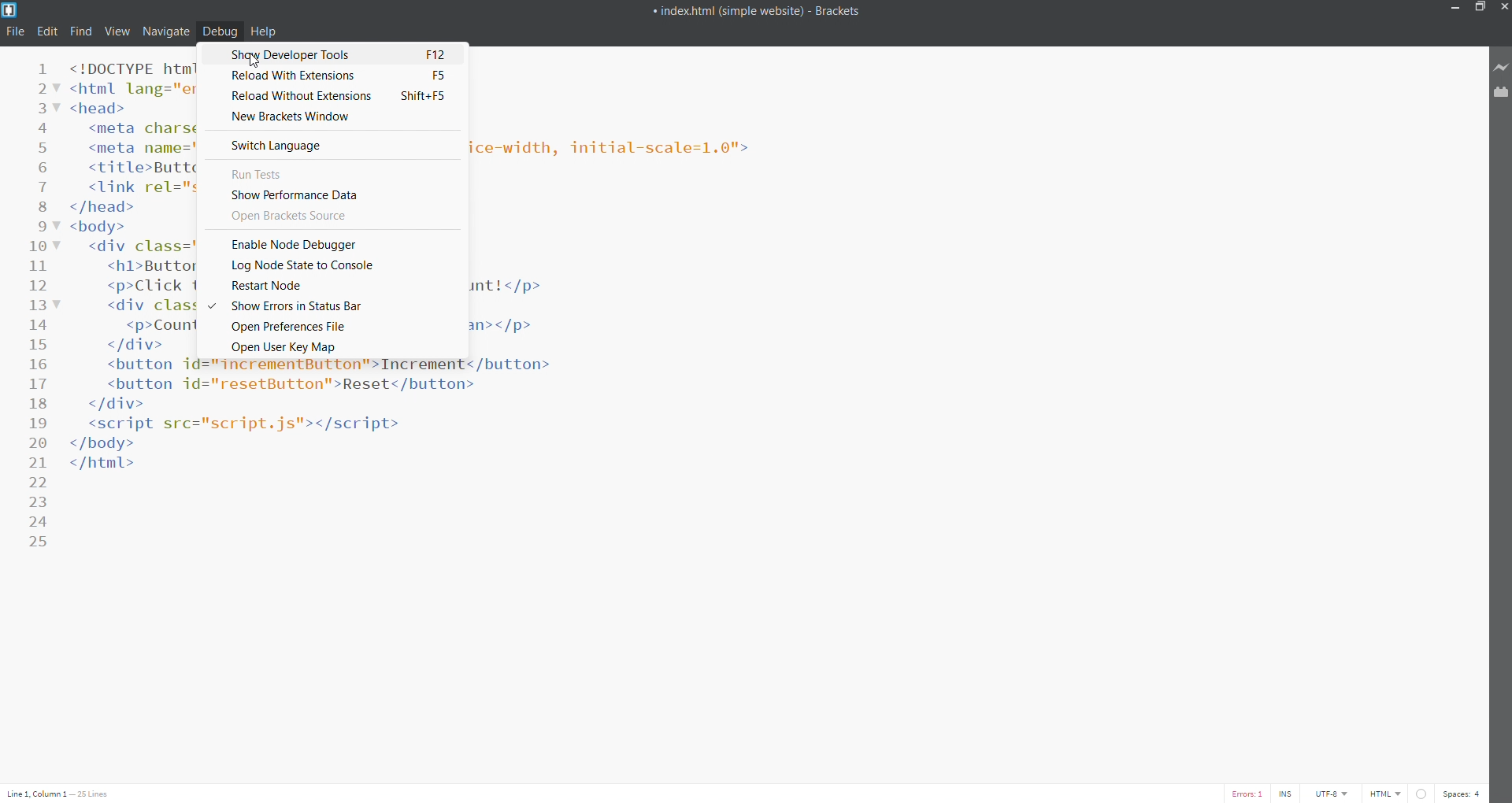  What do you see at coordinates (1481, 9) in the screenshot?
I see `maximize/restore` at bounding box center [1481, 9].